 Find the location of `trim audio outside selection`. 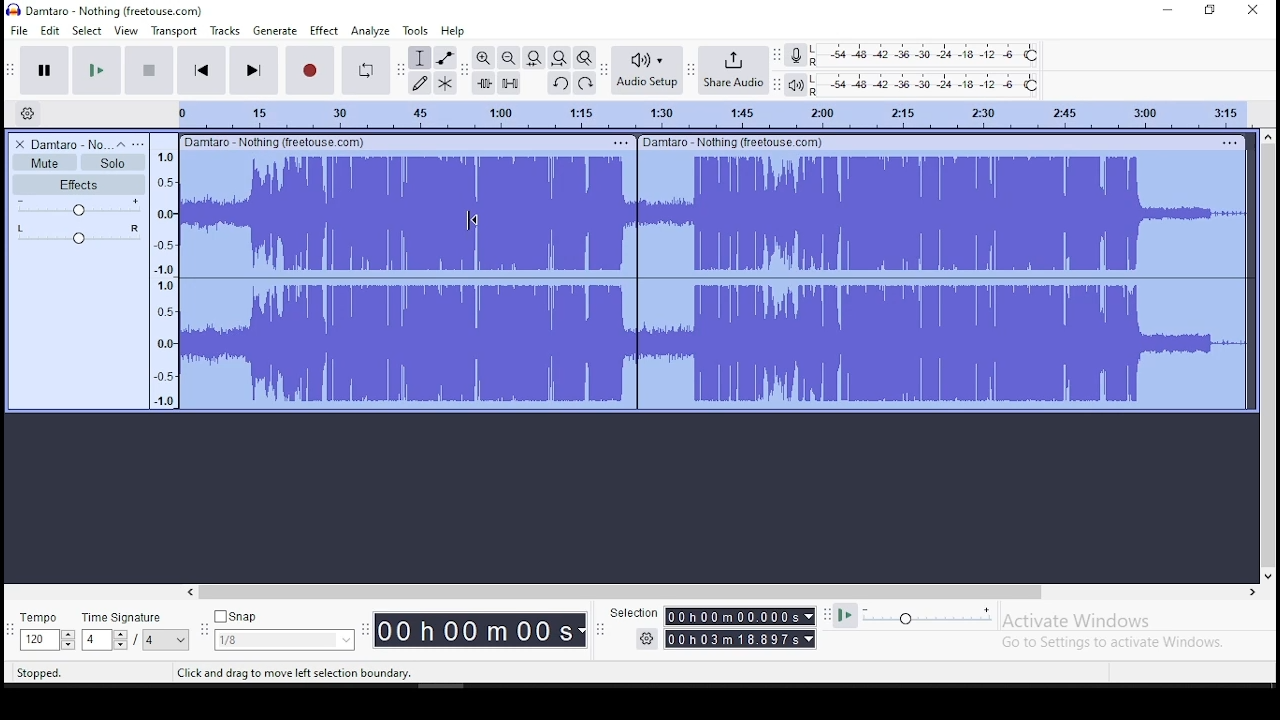

trim audio outside selection is located at coordinates (484, 83).